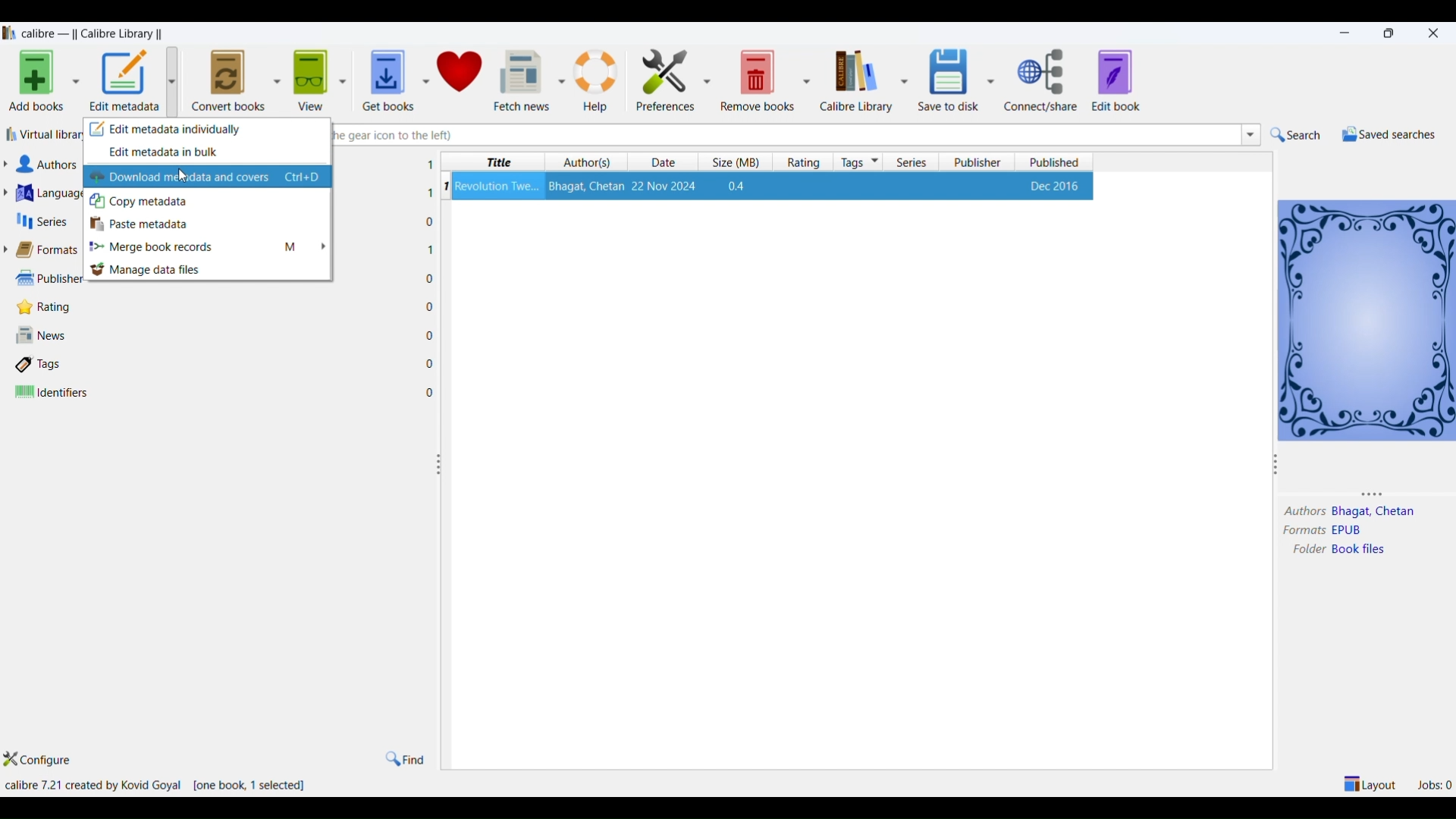  Describe the element at coordinates (429, 193) in the screenshot. I see `1` at that location.